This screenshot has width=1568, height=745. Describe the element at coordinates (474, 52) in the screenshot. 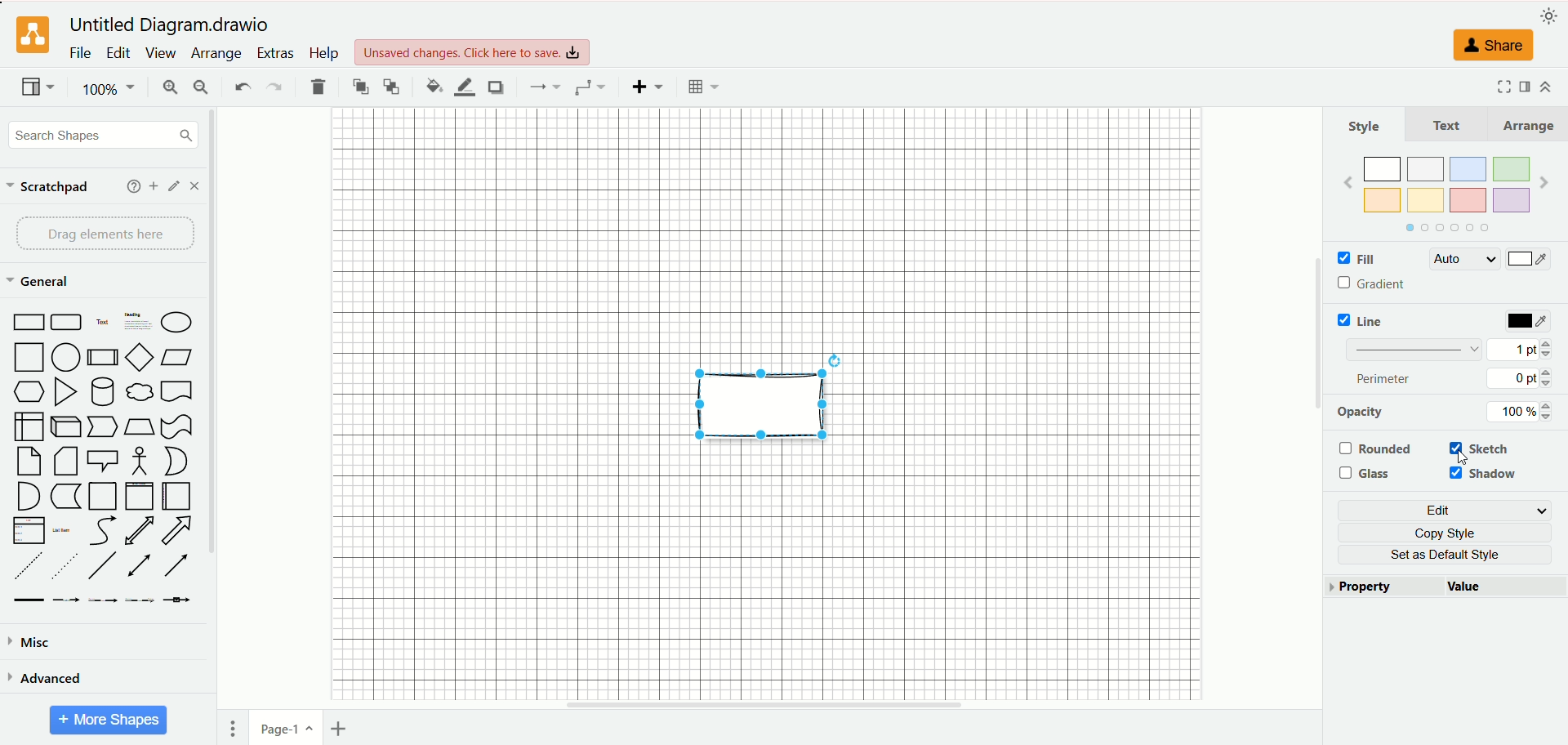

I see `click here to save` at that location.